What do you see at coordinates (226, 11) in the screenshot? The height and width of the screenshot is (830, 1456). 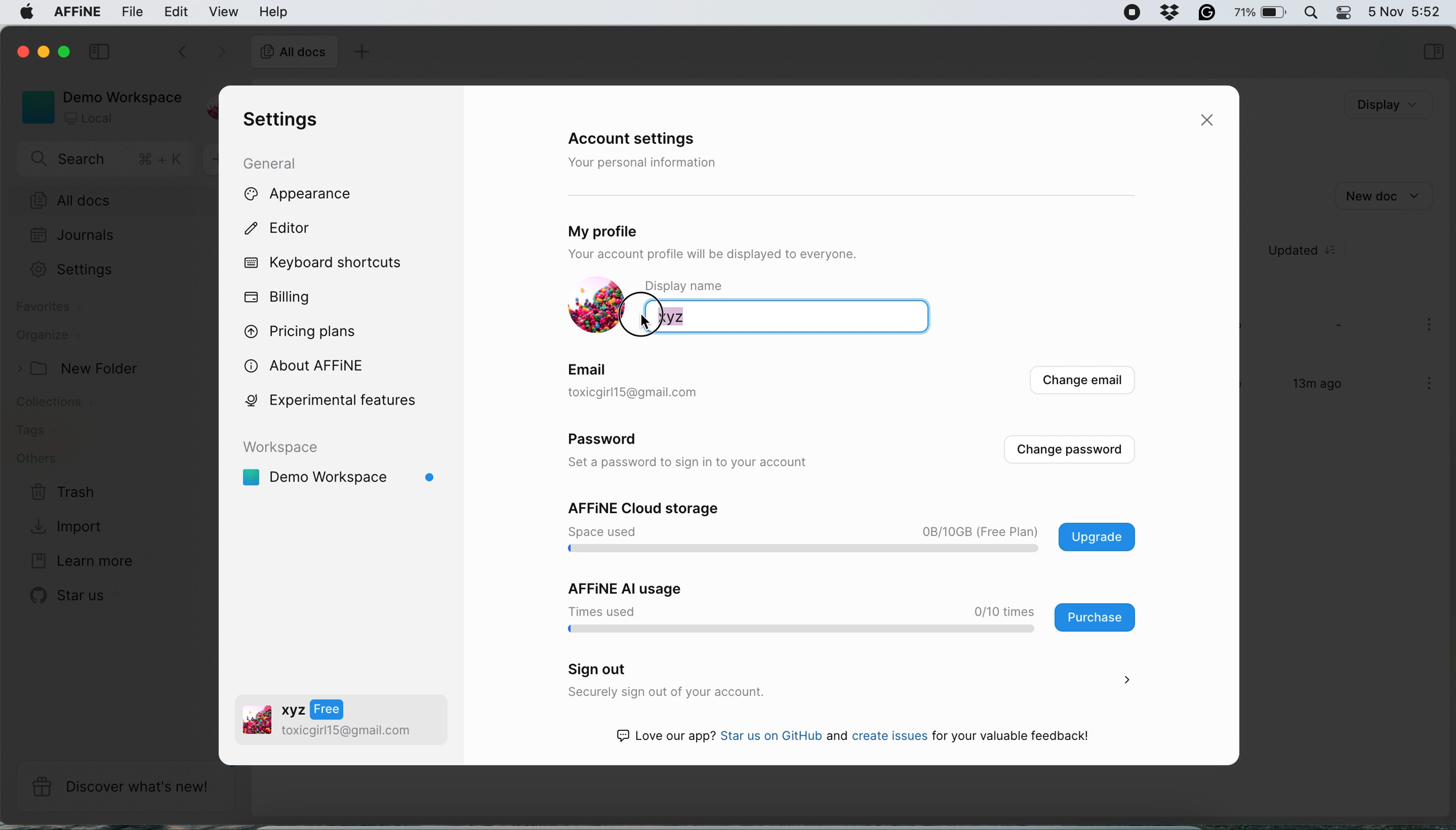 I see `view` at bounding box center [226, 11].